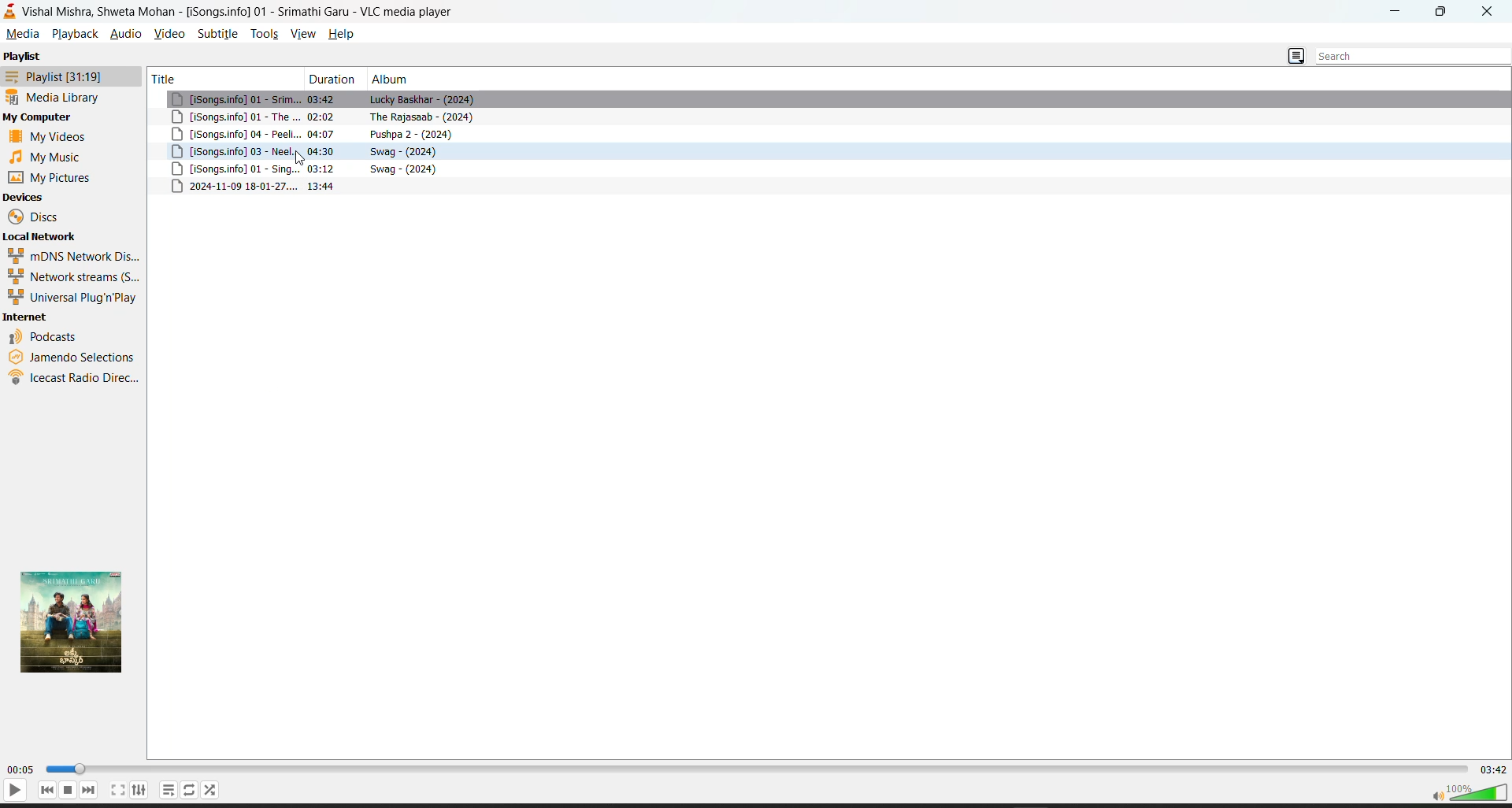  I want to click on change playlist view, so click(1297, 56).